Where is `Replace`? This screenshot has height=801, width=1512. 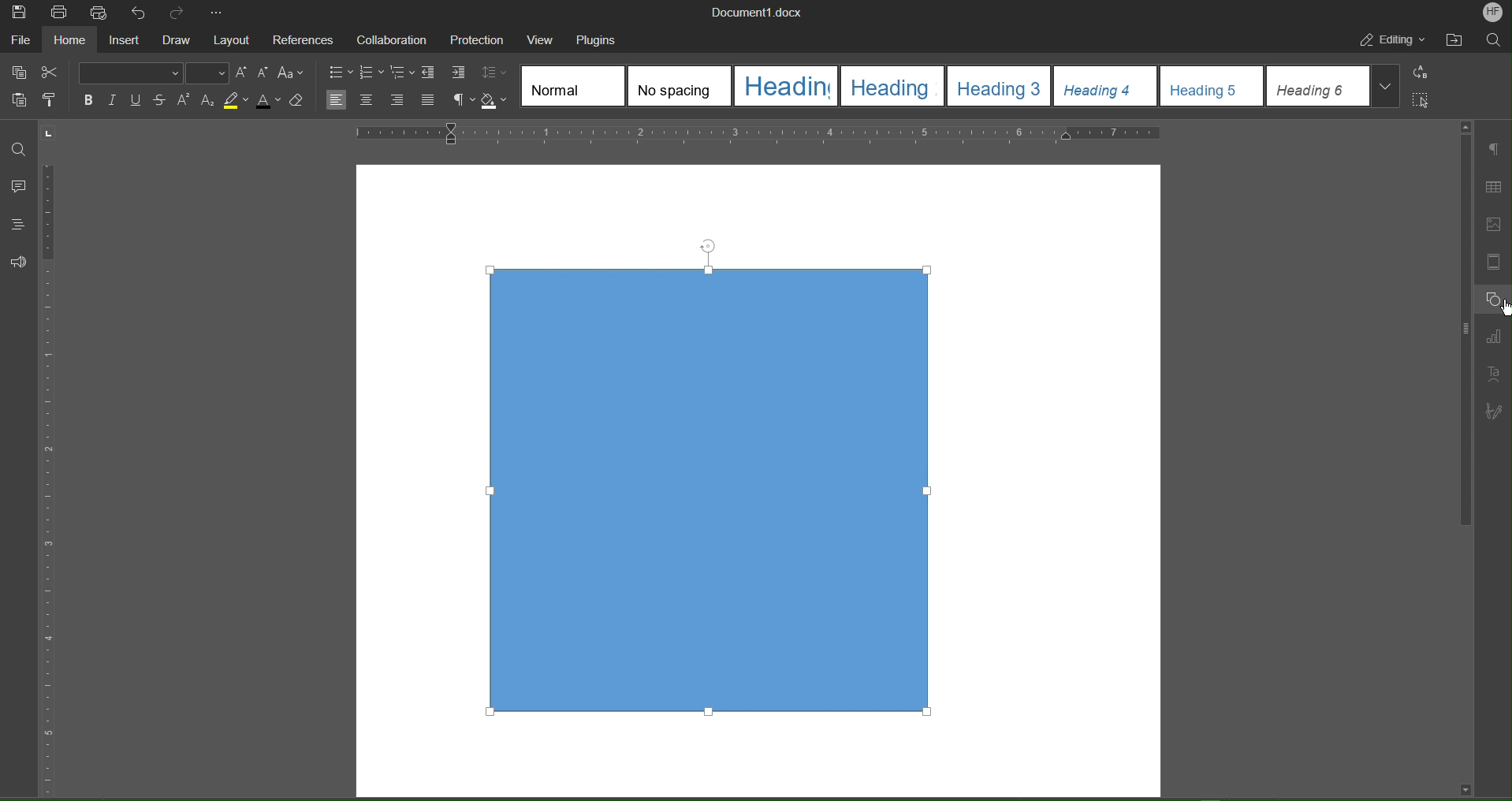
Replace is located at coordinates (1424, 73).